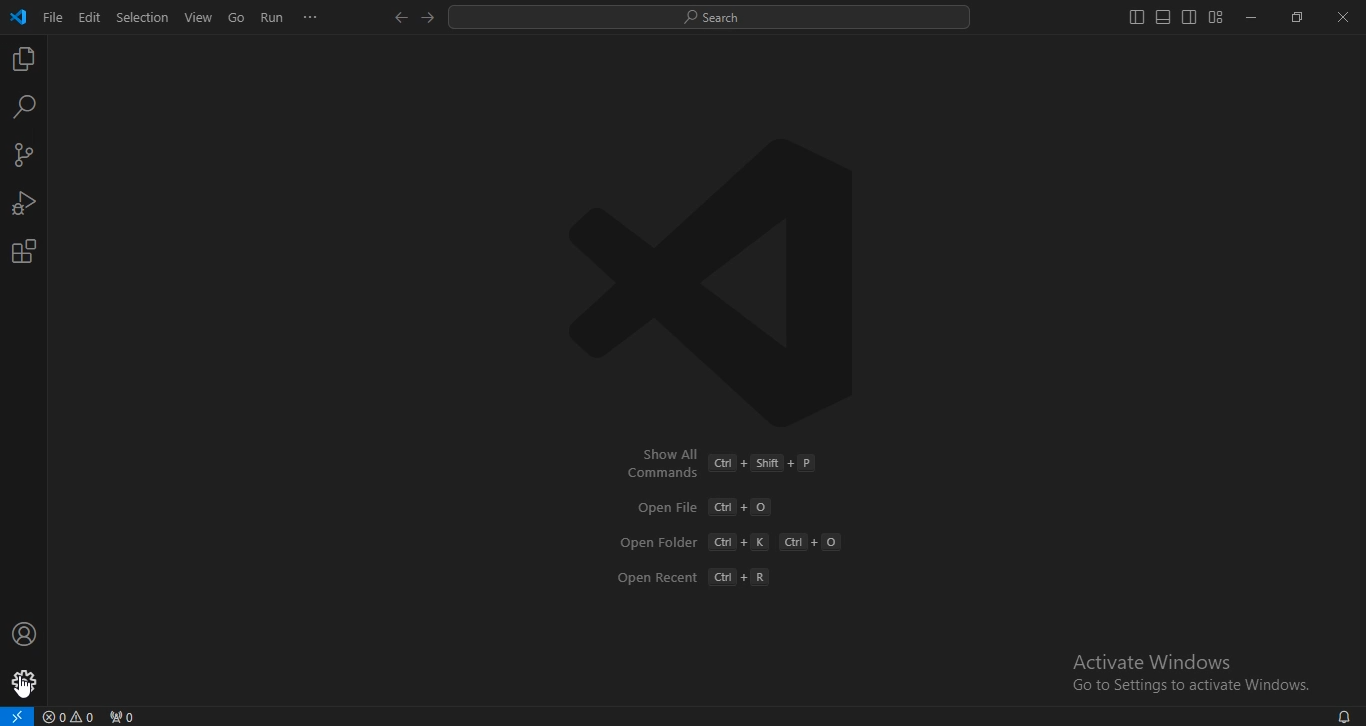 The image size is (1366, 726). What do you see at coordinates (1343, 715) in the screenshot?
I see `notifications` at bounding box center [1343, 715].